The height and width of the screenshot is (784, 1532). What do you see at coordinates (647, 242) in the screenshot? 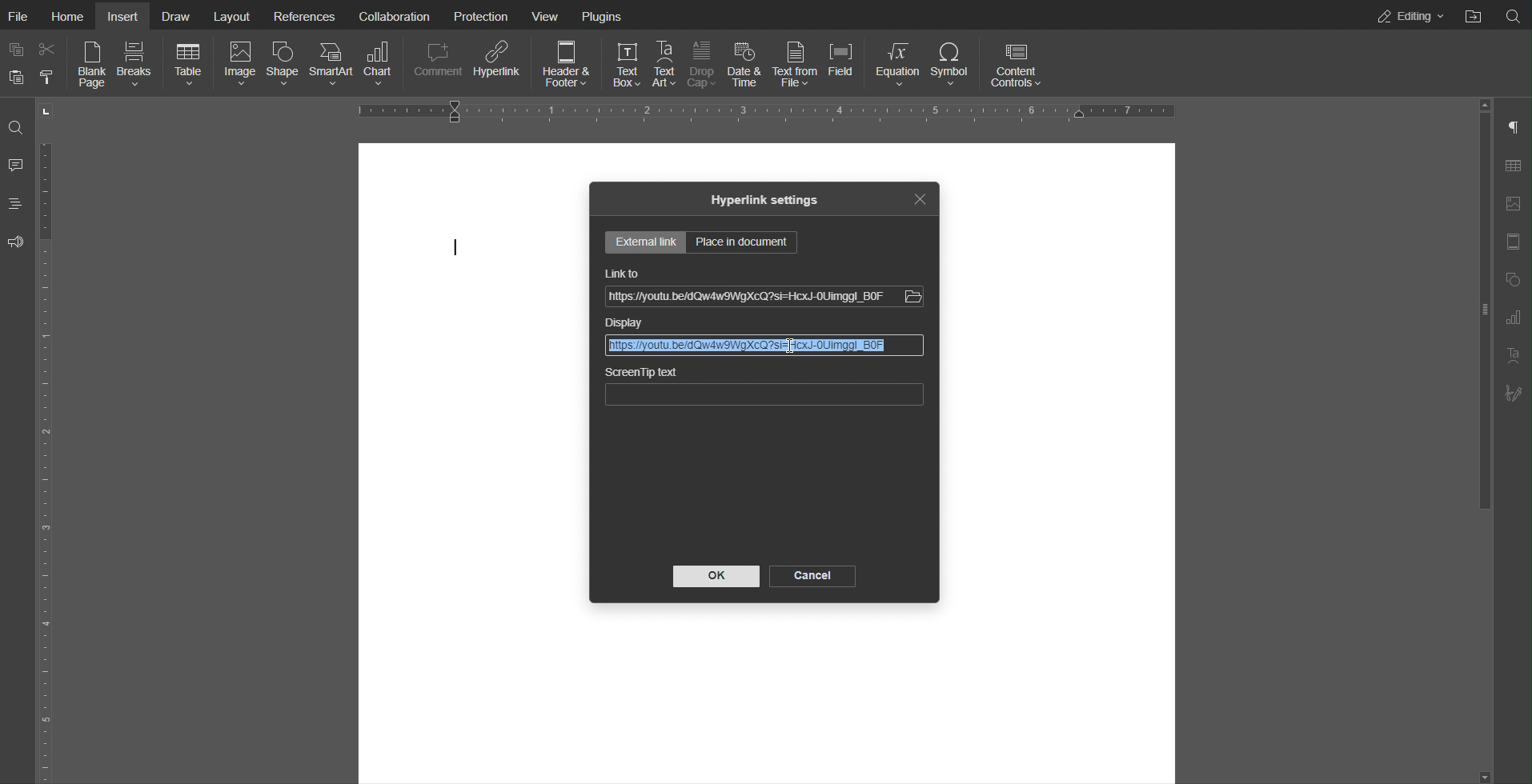
I see `External Settings` at bounding box center [647, 242].